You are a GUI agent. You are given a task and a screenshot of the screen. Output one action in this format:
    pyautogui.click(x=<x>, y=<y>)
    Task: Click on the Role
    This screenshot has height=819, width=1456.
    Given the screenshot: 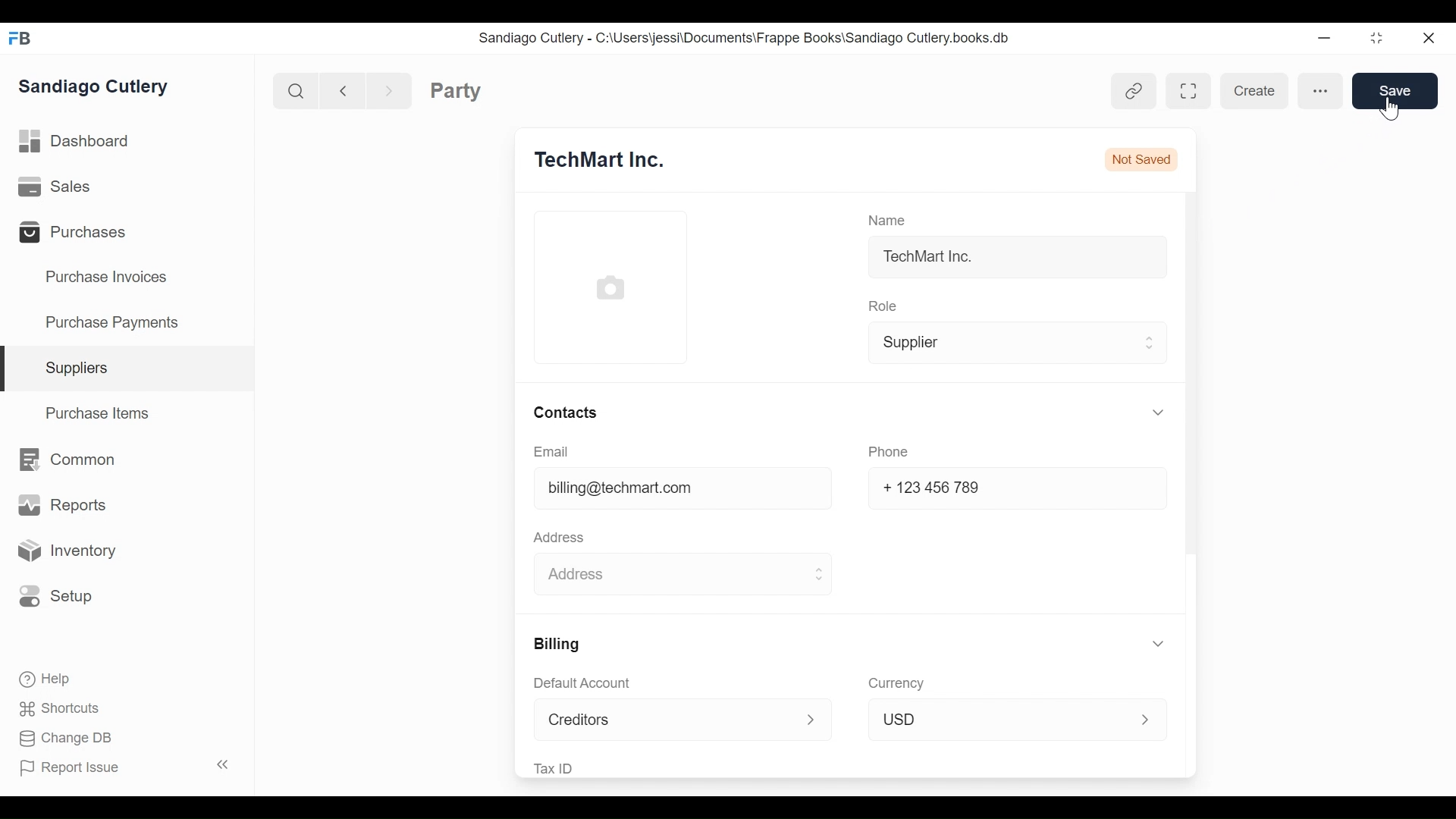 What is the action you would take?
    pyautogui.click(x=882, y=306)
    